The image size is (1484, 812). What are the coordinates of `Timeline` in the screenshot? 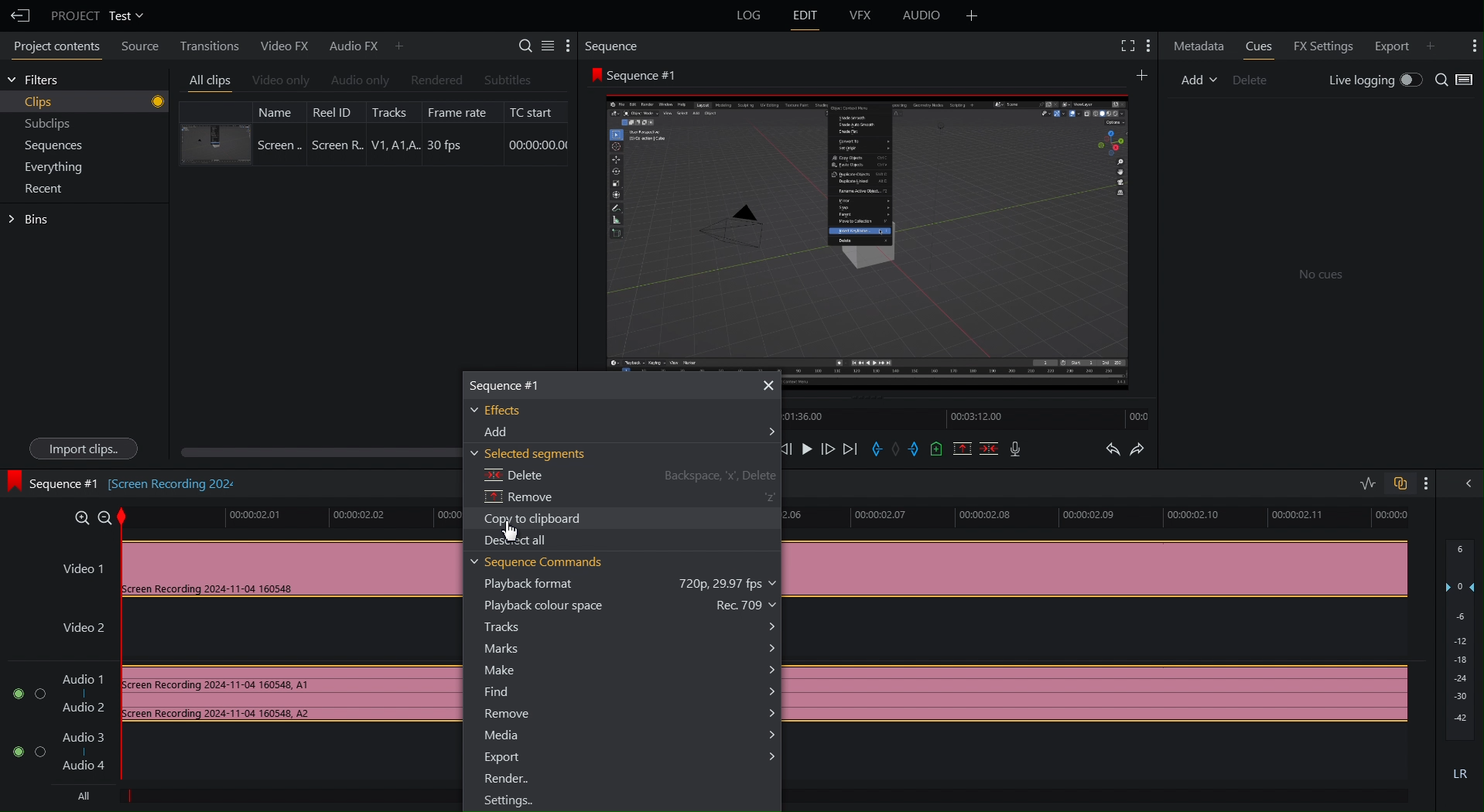 It's located at (969, 421).